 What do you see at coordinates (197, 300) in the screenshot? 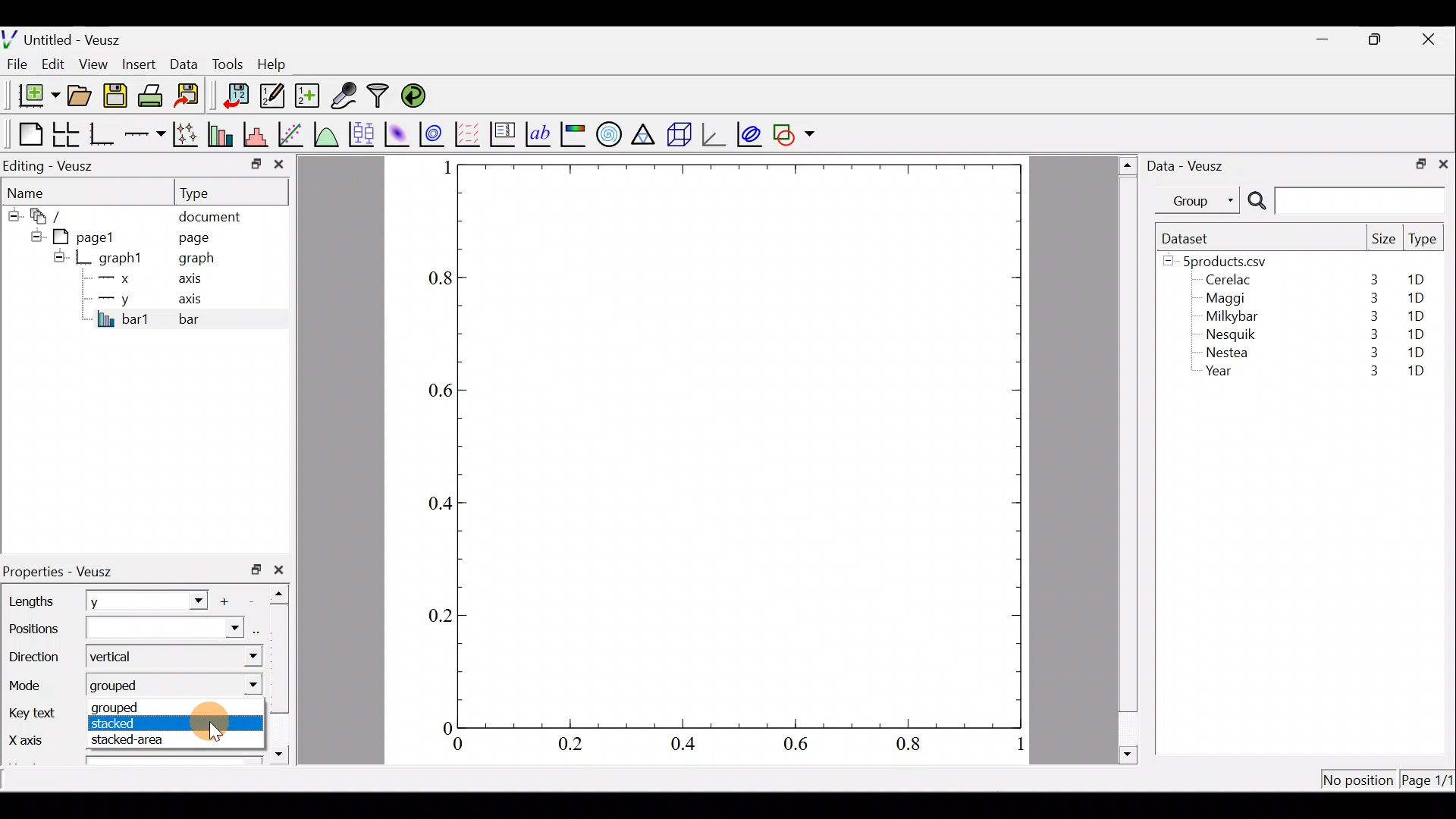
I see `axis` at bounding box center [197, 300].